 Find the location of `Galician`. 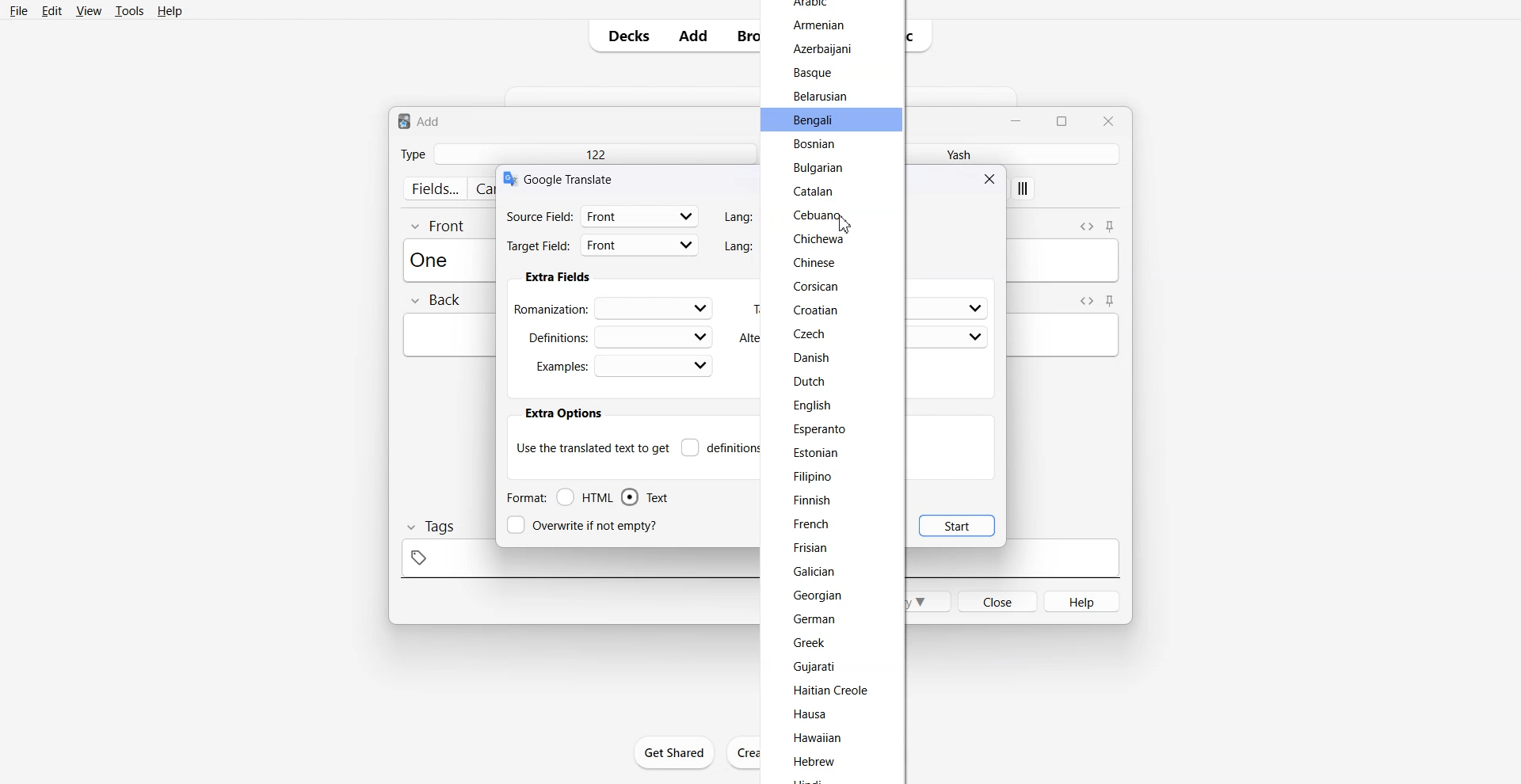

Galician is located at coordinates (817, 573).